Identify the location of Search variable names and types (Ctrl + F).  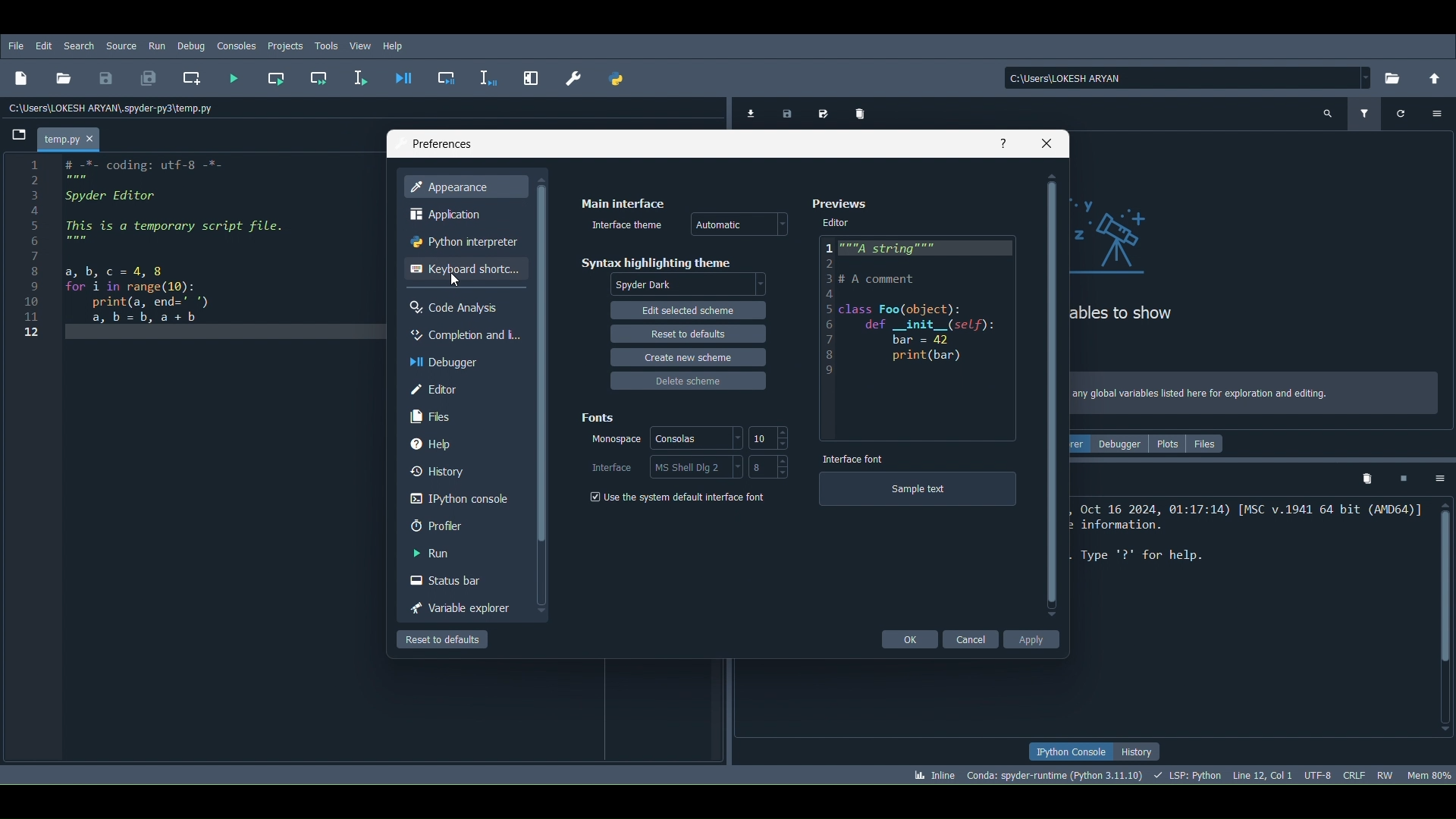
(1329, 114).